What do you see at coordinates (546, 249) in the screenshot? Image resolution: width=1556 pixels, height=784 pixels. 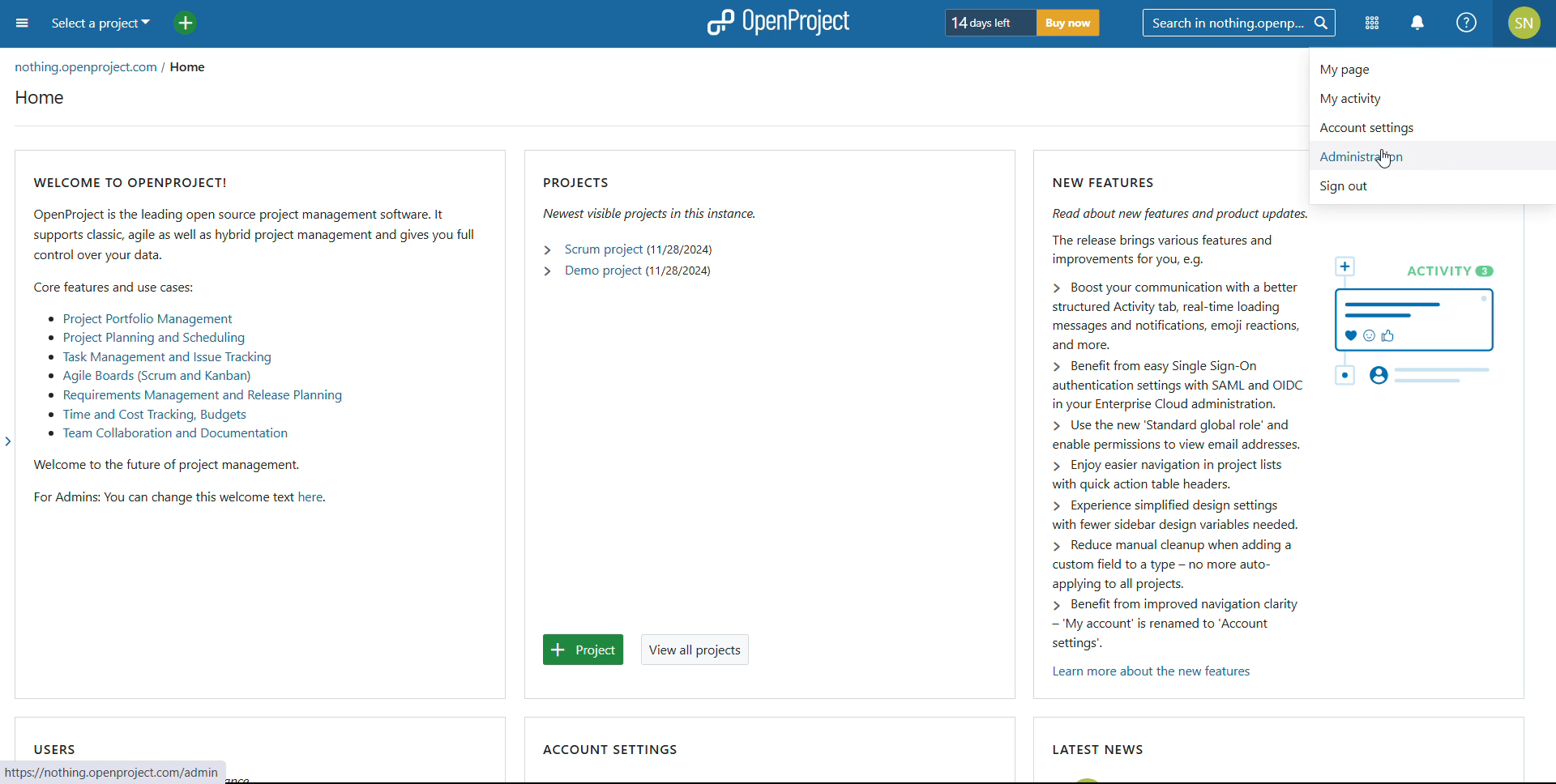 I see `expand scrum project` at bounding box center [546, 249].